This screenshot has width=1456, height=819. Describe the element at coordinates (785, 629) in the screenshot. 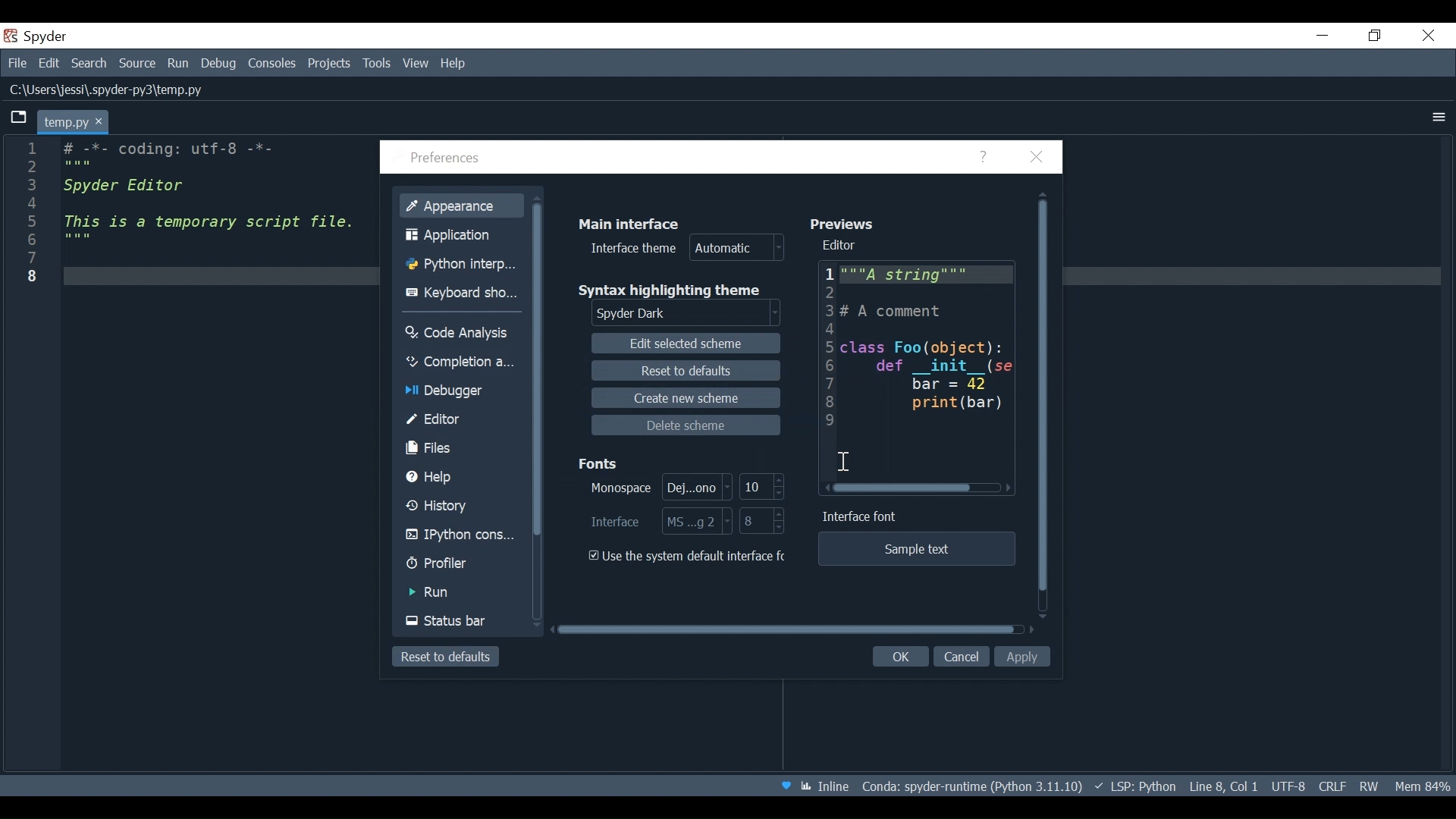

I see `Horizontal Scroll bar` at that location.